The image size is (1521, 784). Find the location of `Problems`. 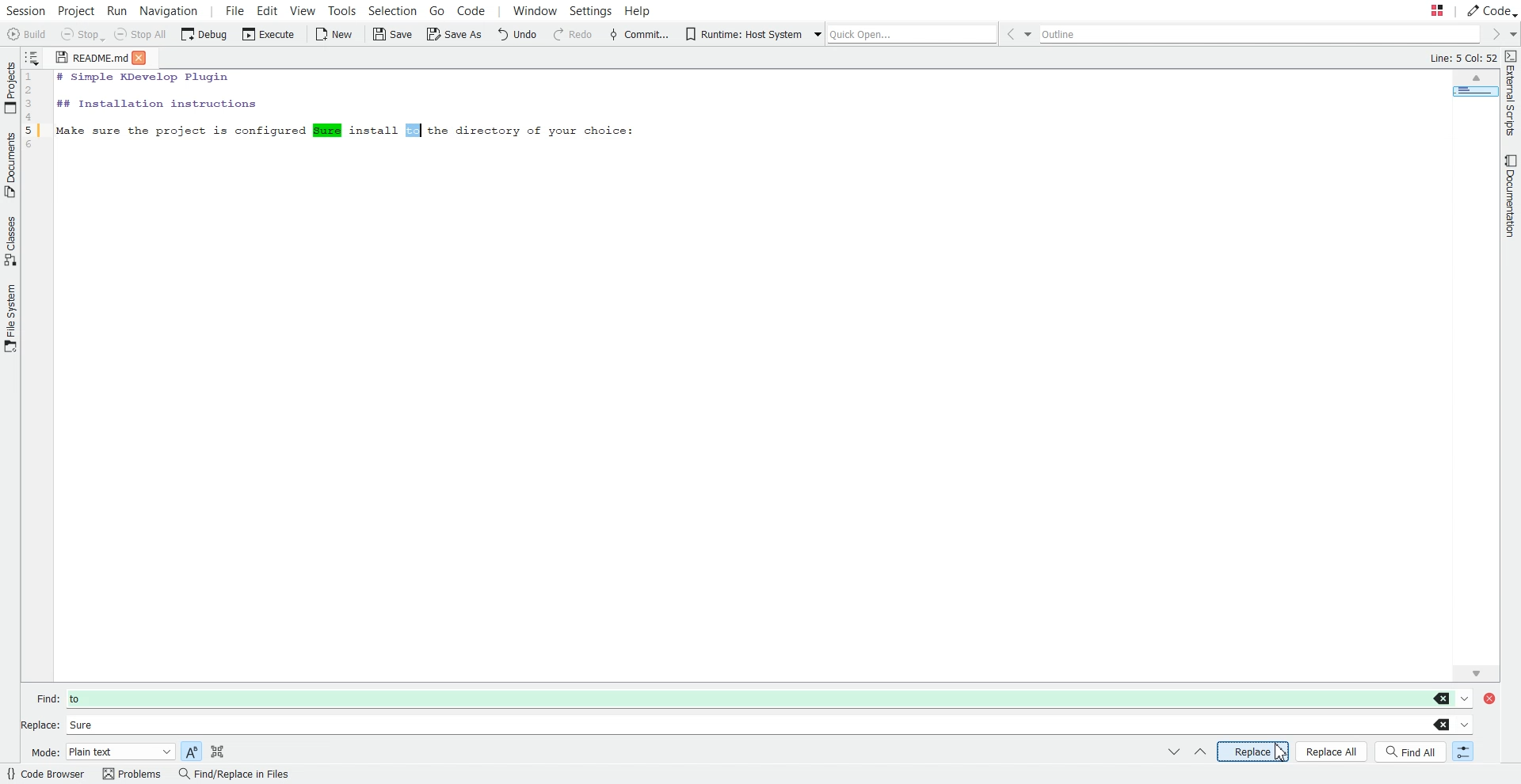

Problems is located at coordinates (131, 774).